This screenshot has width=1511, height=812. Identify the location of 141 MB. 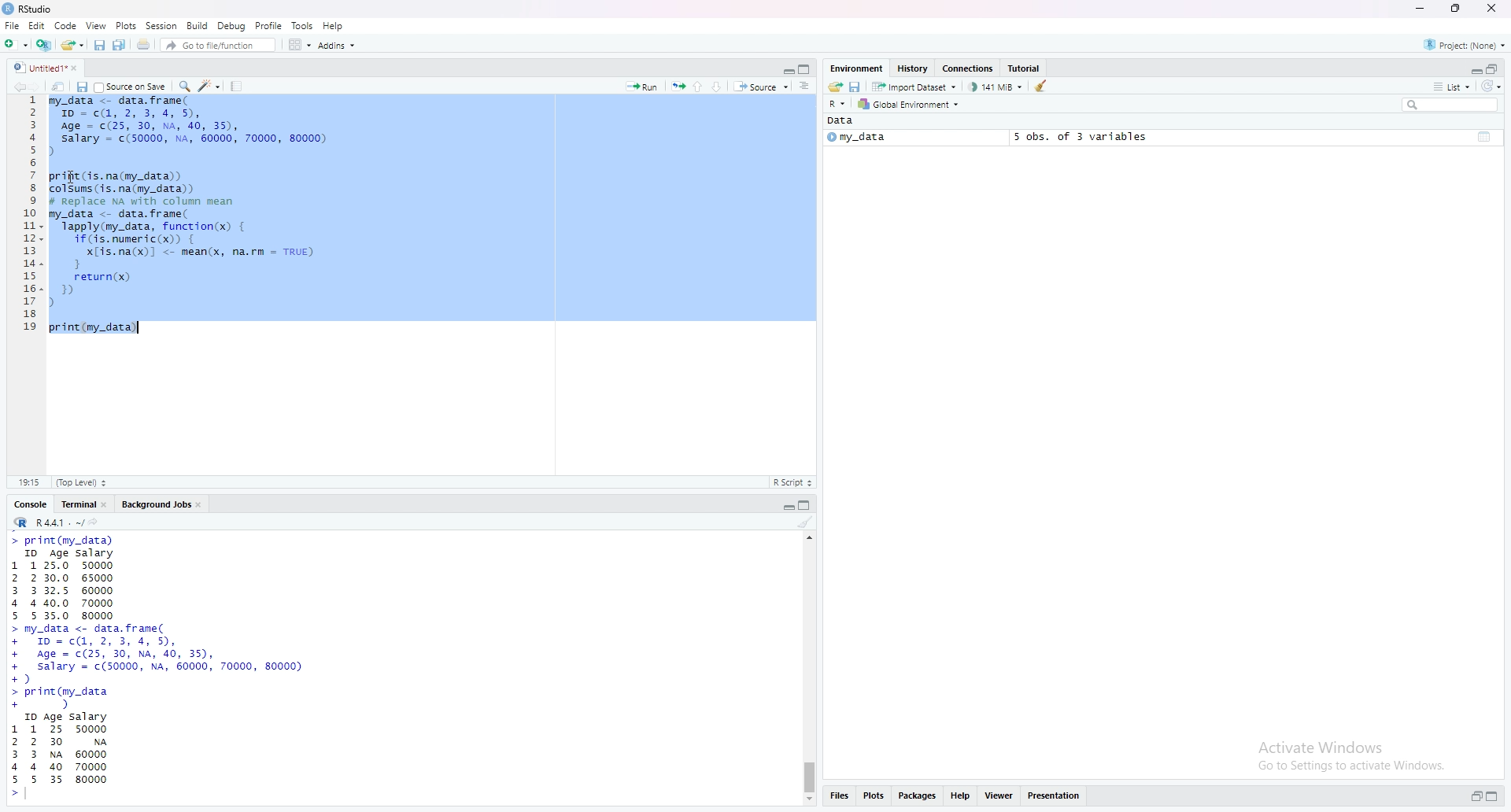
(997, 87).